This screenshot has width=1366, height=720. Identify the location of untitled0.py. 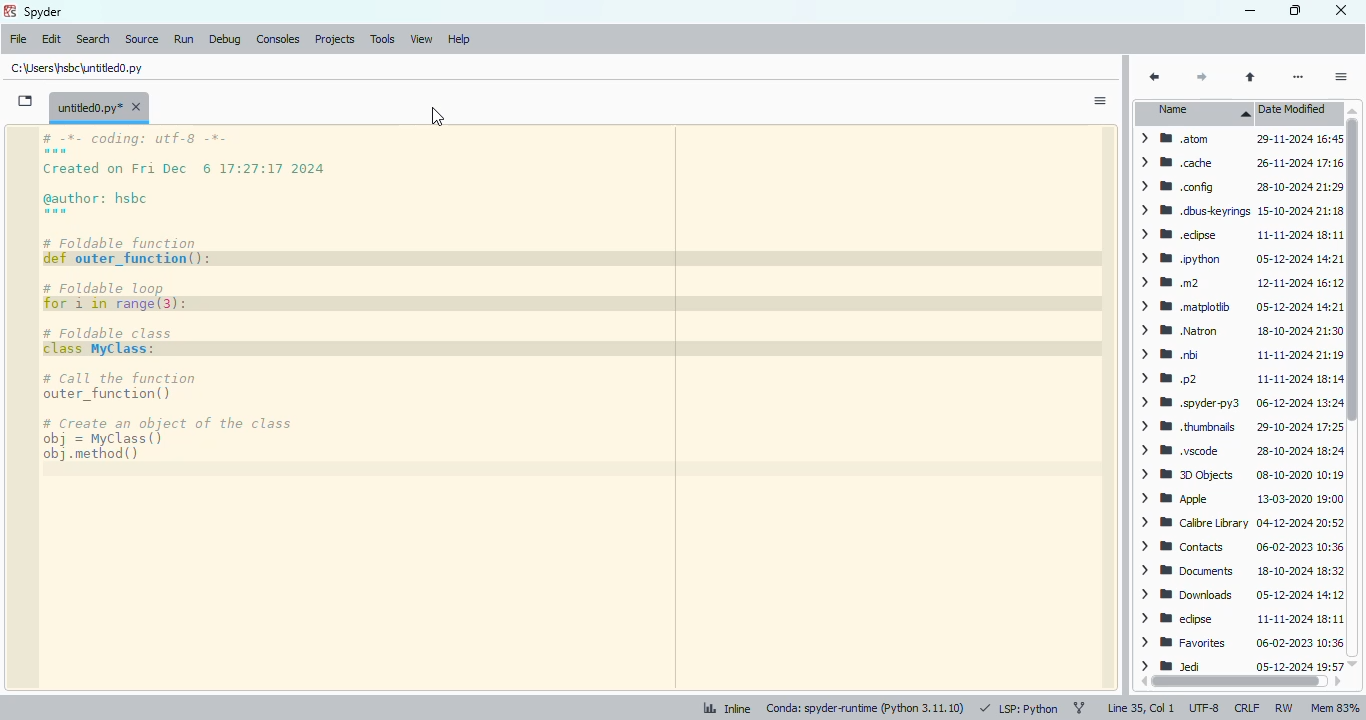
(99, 107).